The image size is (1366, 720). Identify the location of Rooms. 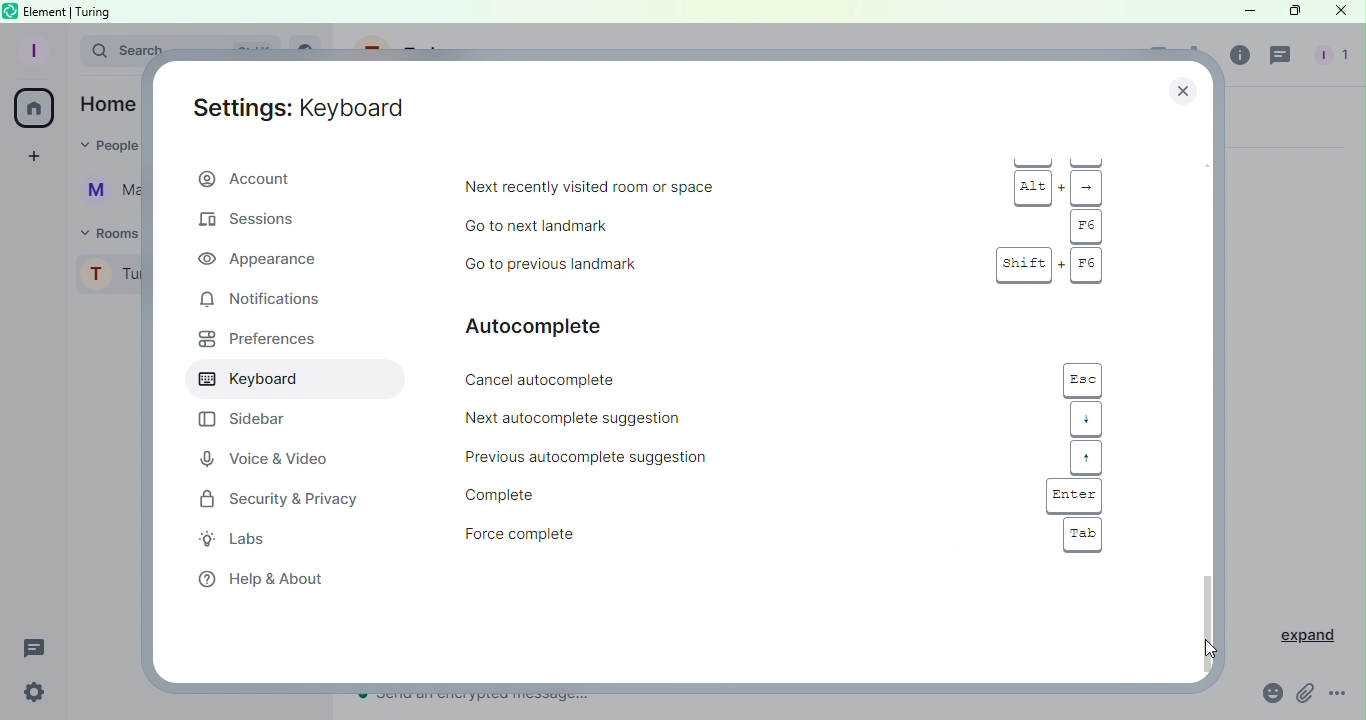
(100, 233).